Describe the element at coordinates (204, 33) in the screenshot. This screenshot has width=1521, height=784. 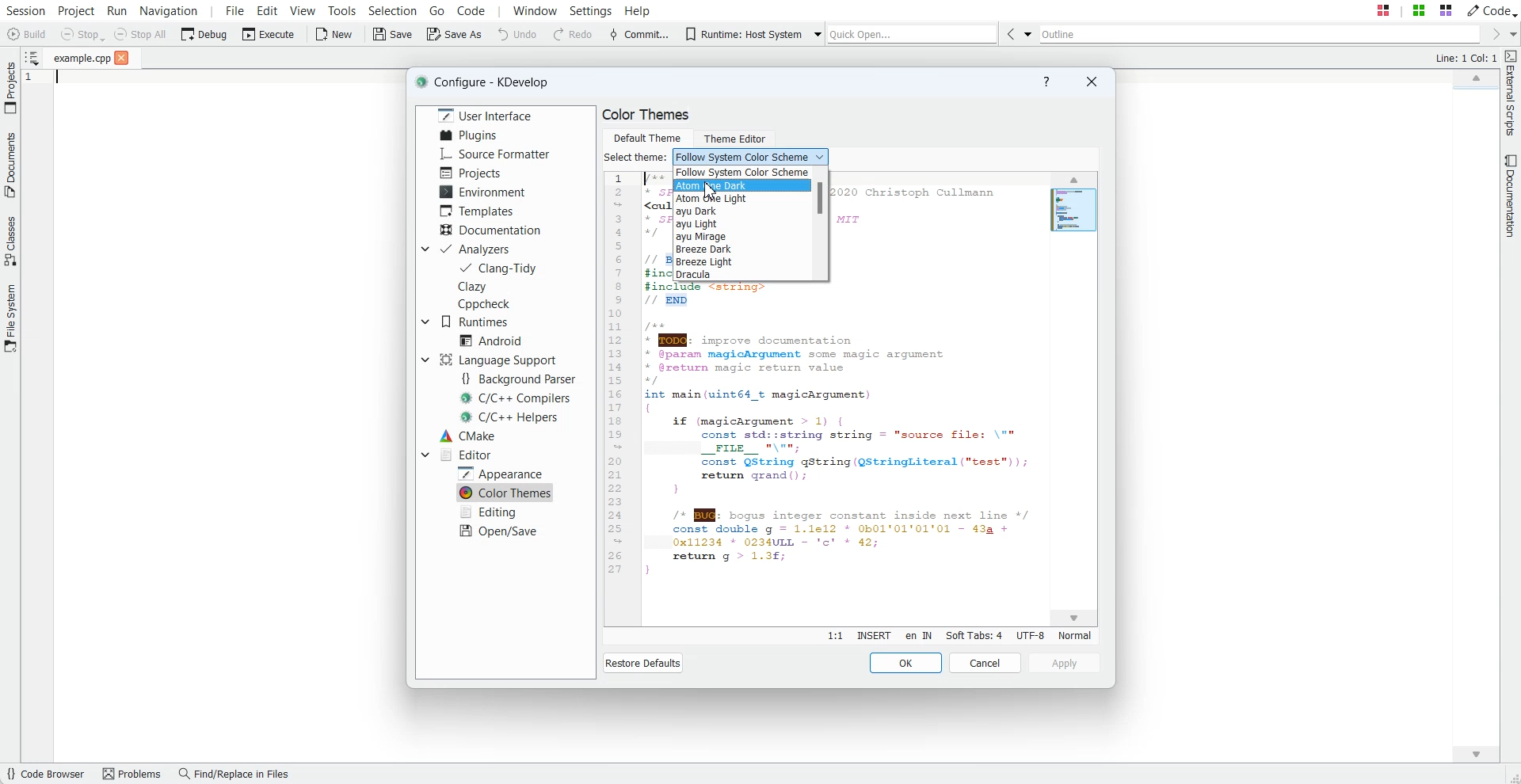
I see `Debug` at that location.